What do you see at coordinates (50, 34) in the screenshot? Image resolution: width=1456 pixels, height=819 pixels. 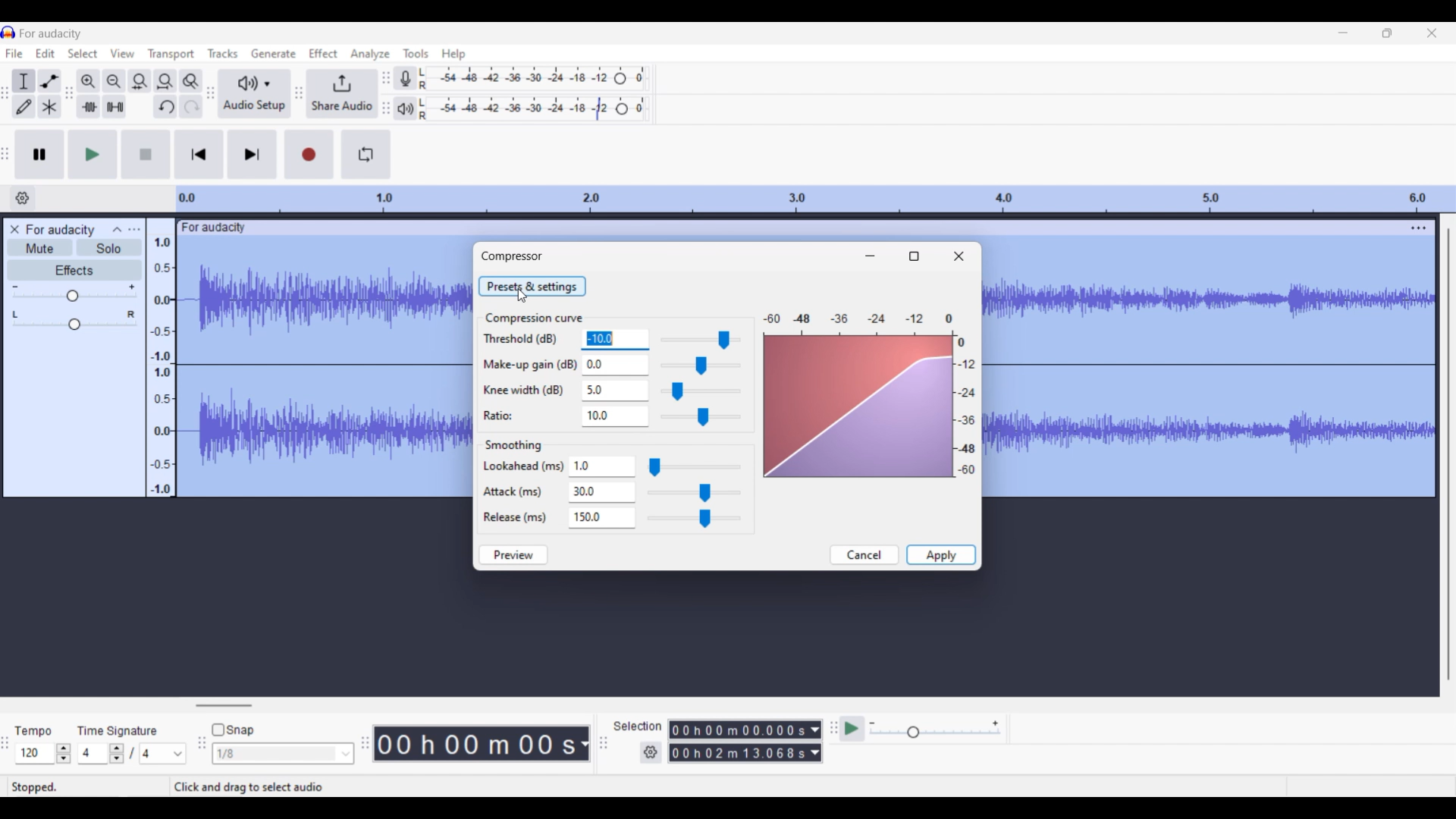 I see `For audacity` at bounding box center [50, 34].